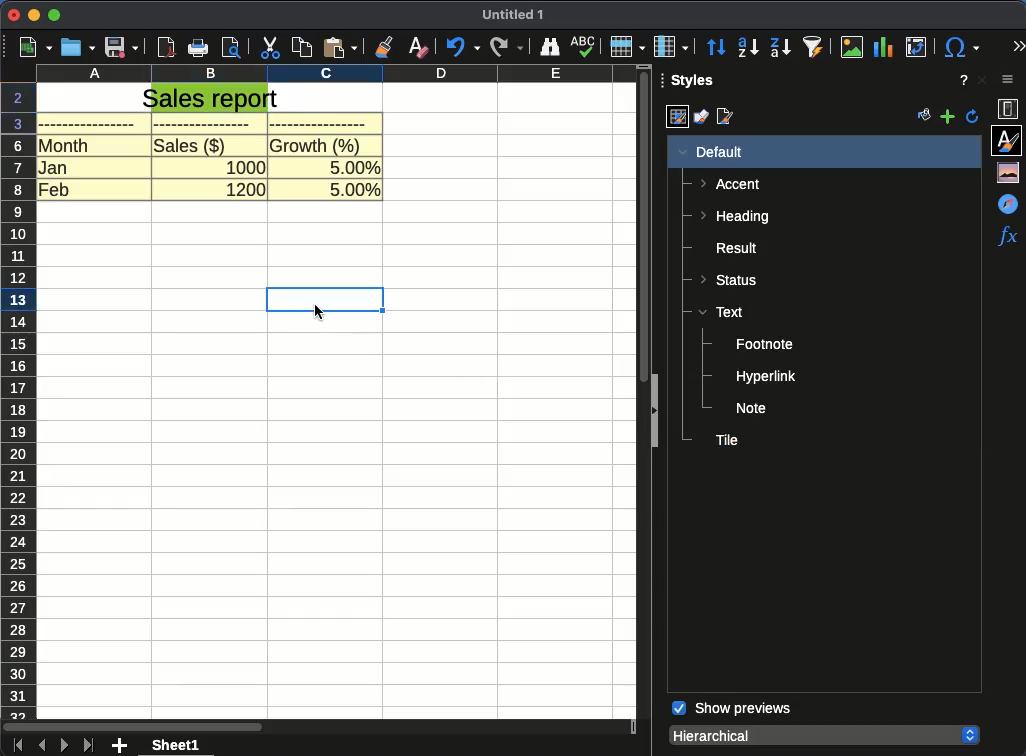 This screenshot has width=1026, height=756. Describe the element at coordinates (651, 413) in the screenshot. I see `expand` at that location.